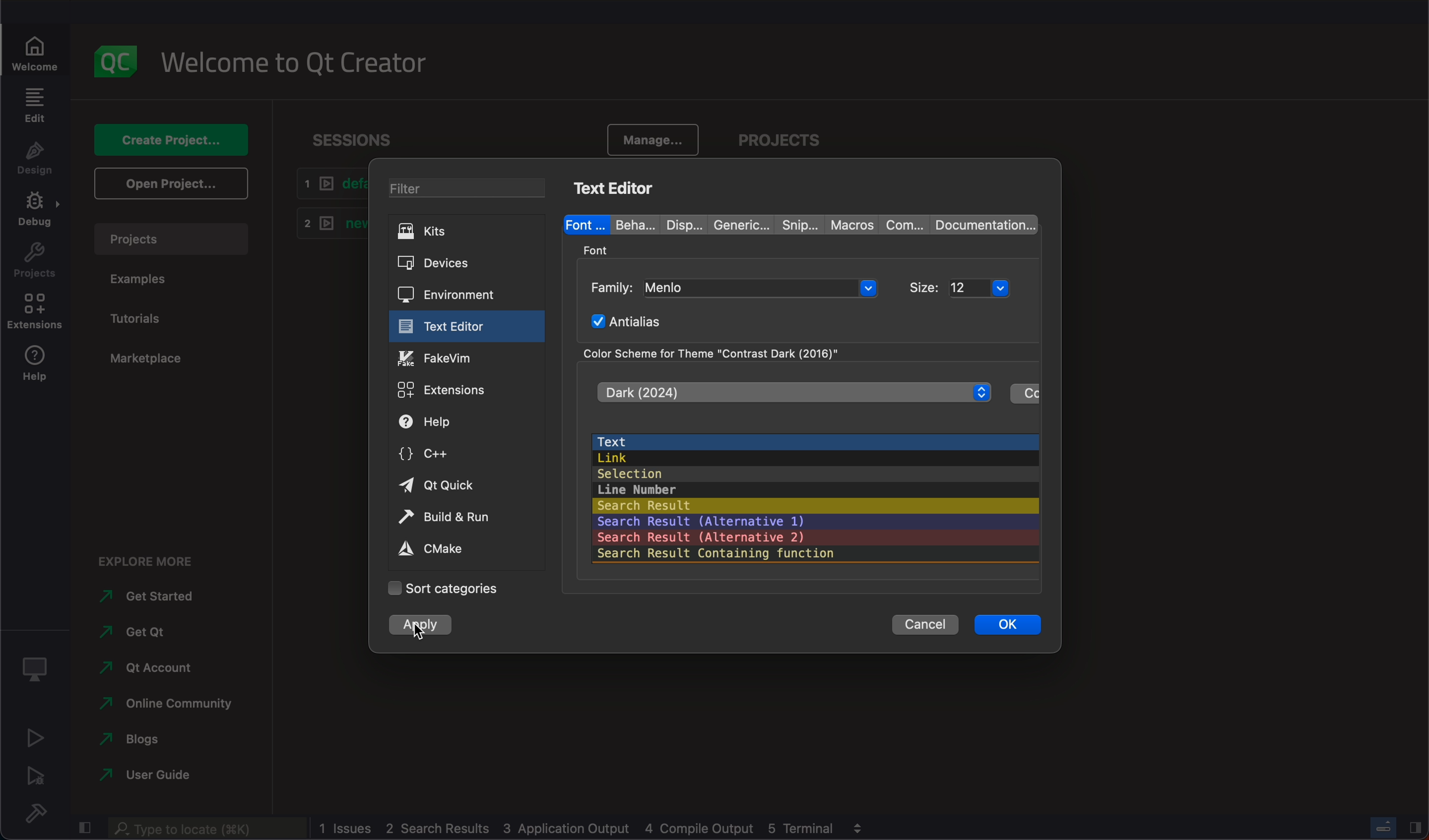 This screenshot has width=1429, height=840. What do you see at coordinates (139, 634) in the screenshot?
I see `get Qt` at bounding box center [139, 634].